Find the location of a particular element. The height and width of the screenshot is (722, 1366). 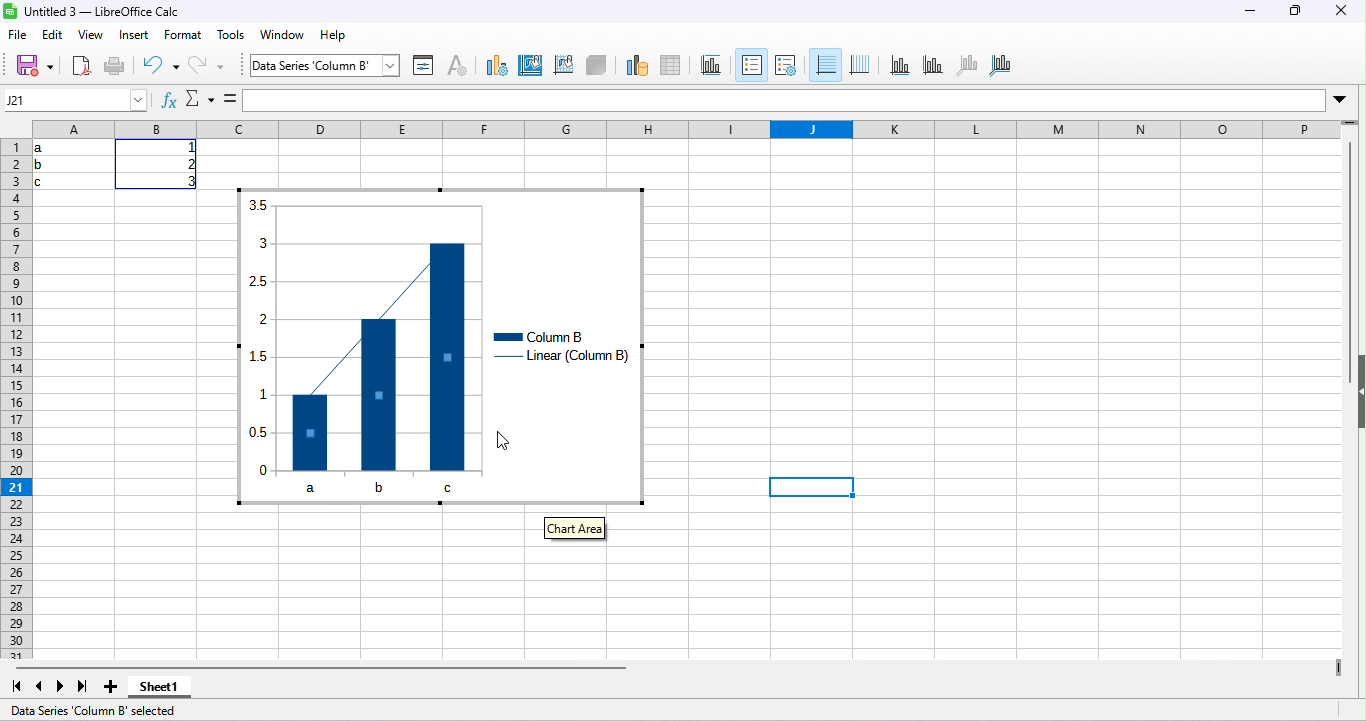

linear column b is located at coordinates (565, 356).